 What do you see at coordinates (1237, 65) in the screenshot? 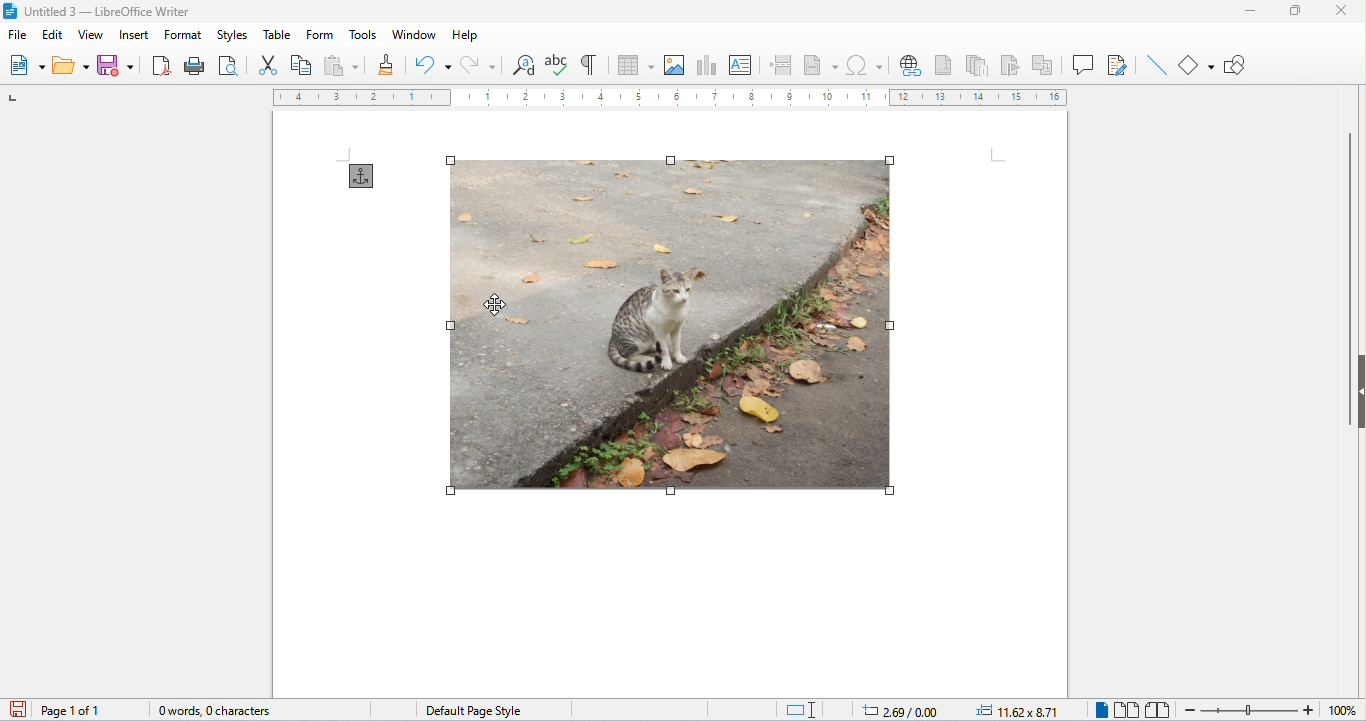
I see `show draw functions` at bounding box center [1237, 65].